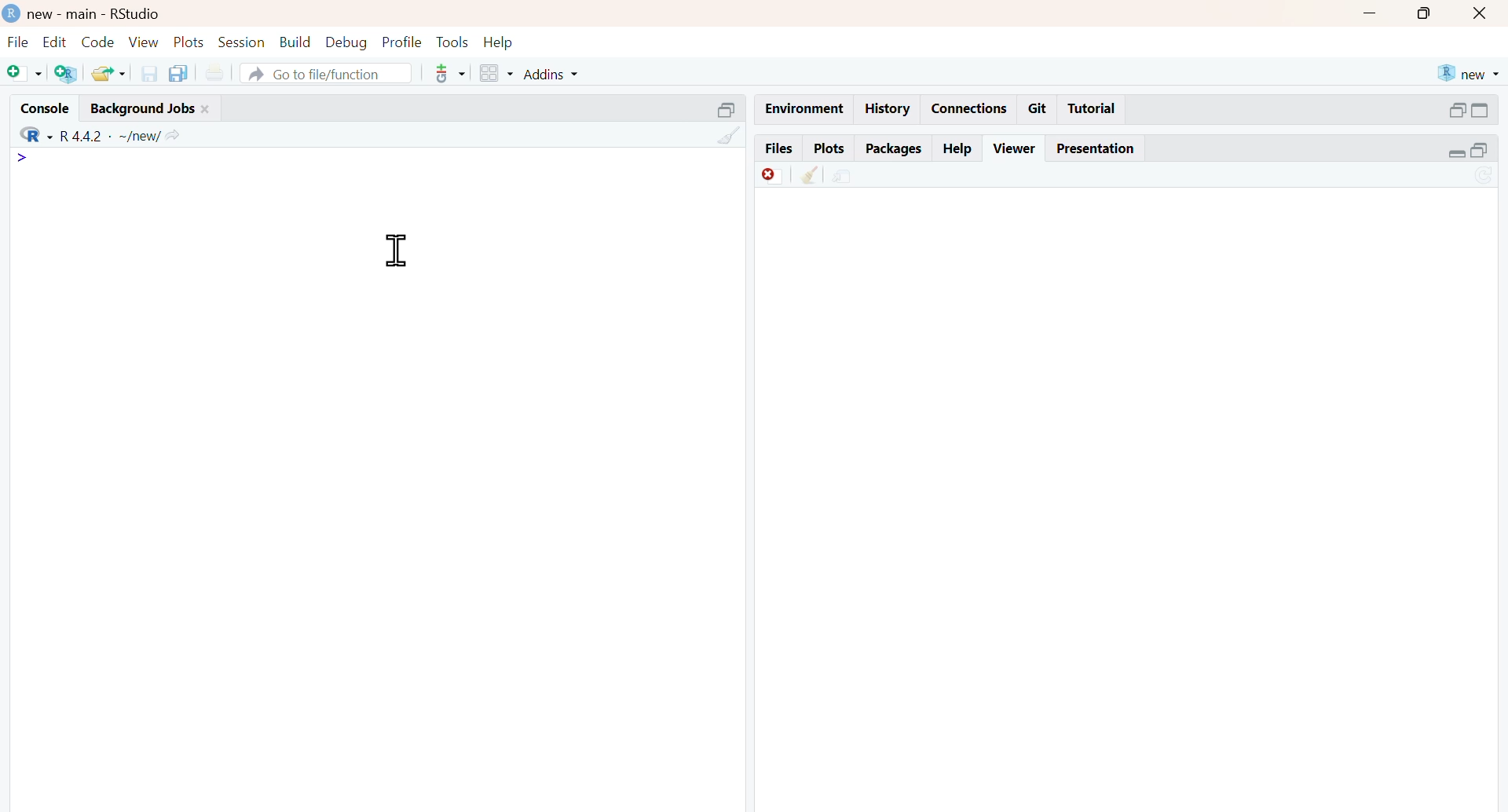 The height and width of the screenshot is (812, 1508). I want to click on copy, so click(178, 73).